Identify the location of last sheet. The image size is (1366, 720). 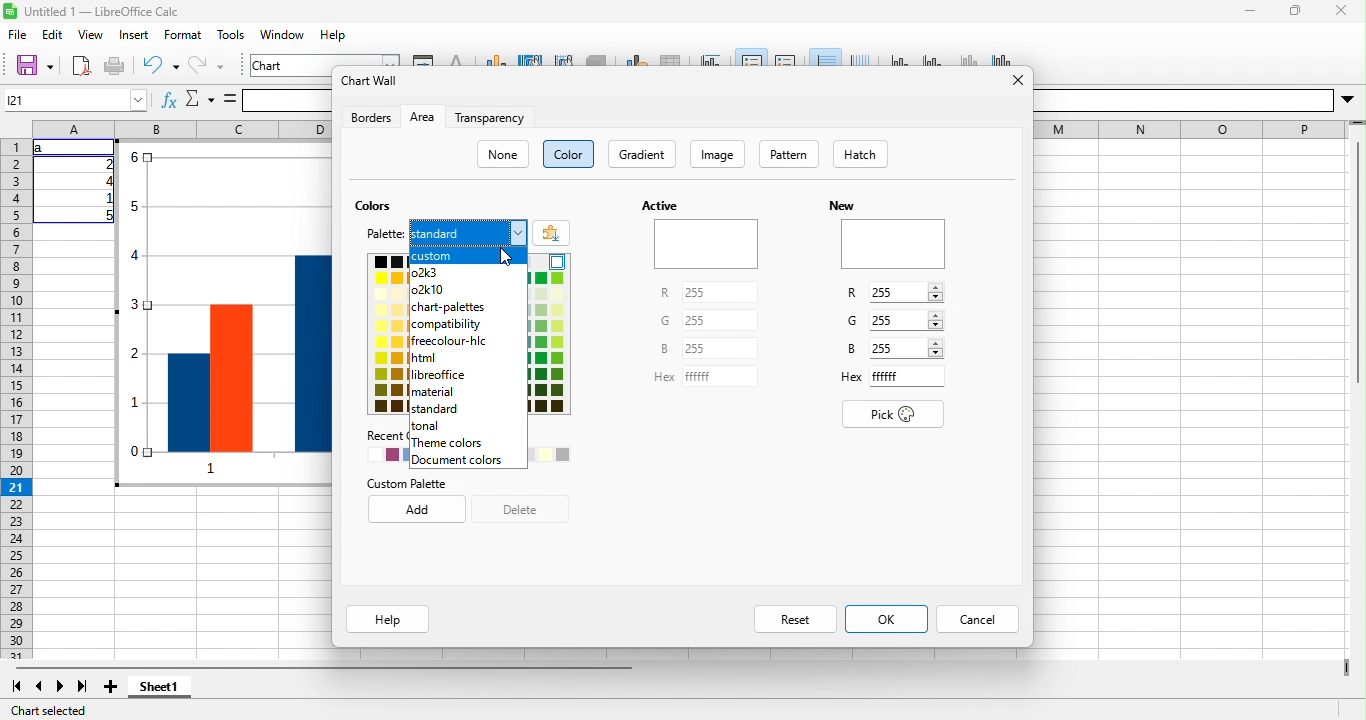
(84, 686).